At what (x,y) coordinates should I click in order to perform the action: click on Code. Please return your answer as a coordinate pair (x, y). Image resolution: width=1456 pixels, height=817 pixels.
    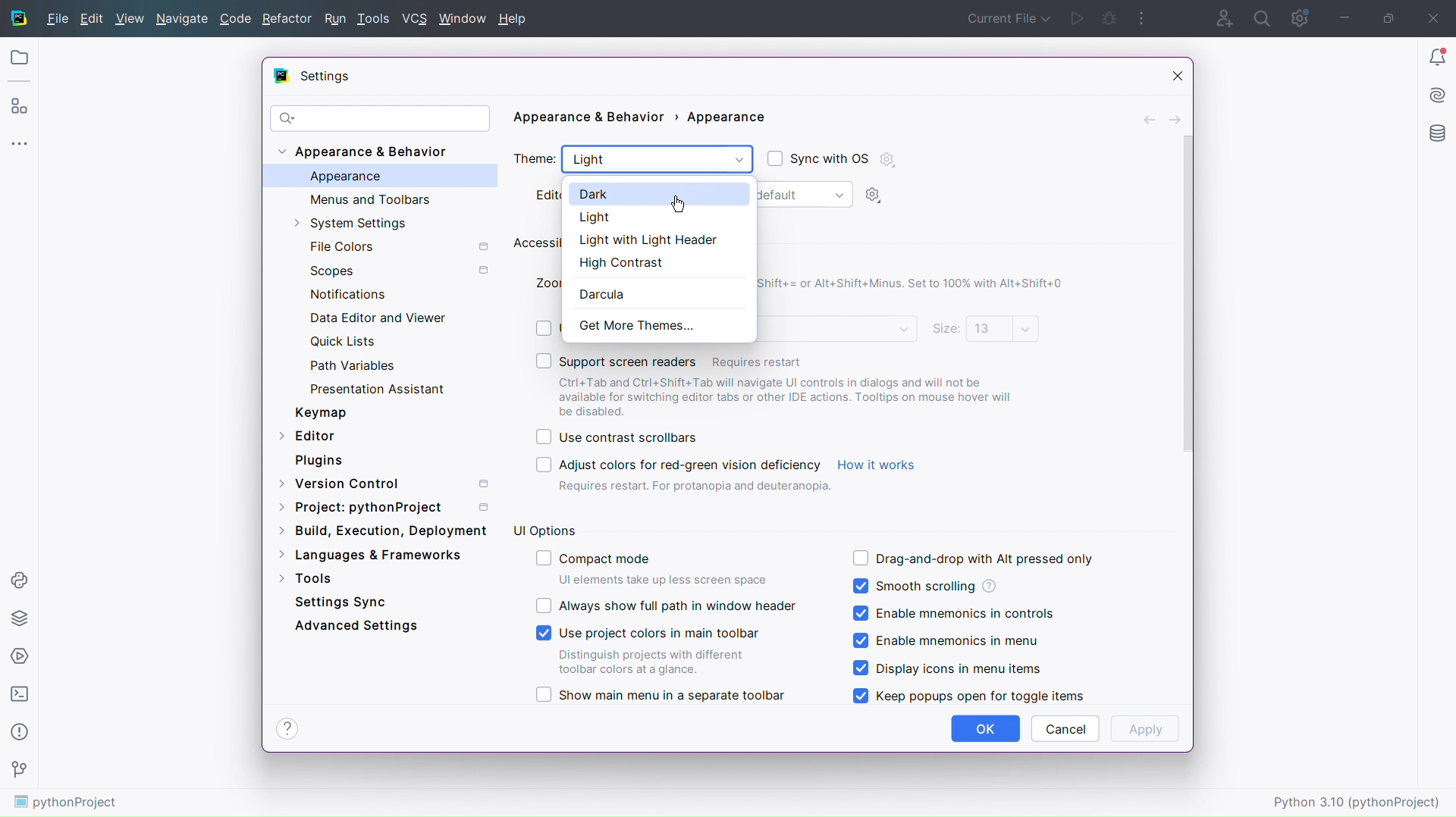
    Looking at the image, I should click on (237, 18).